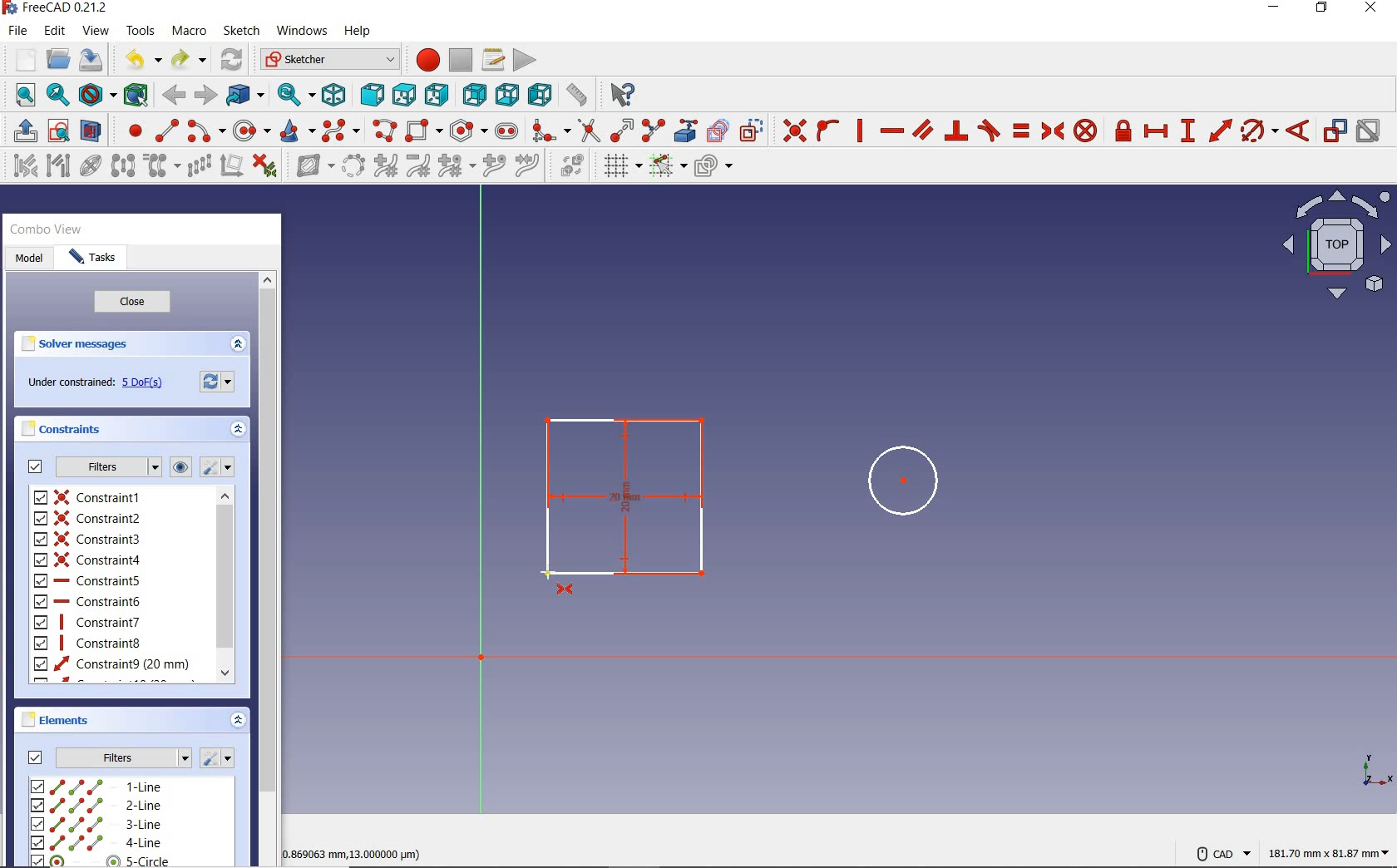 The width and height of the screenshot is (1397, 868). What do you see at coordinates (624, 496) in the screenshot?
I see `centered rectangle` at bounding box center [624, 496].